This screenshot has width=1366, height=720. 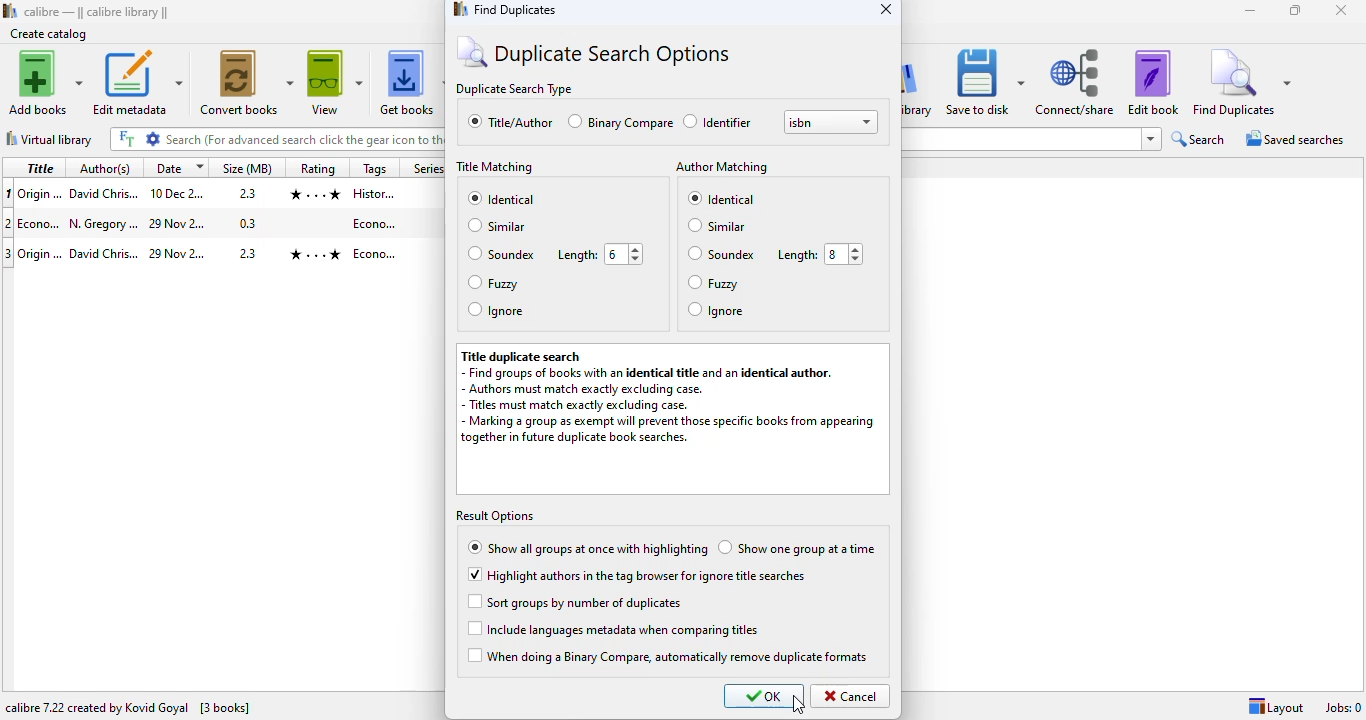 I want to click on search, so click(x=1198, y=139).